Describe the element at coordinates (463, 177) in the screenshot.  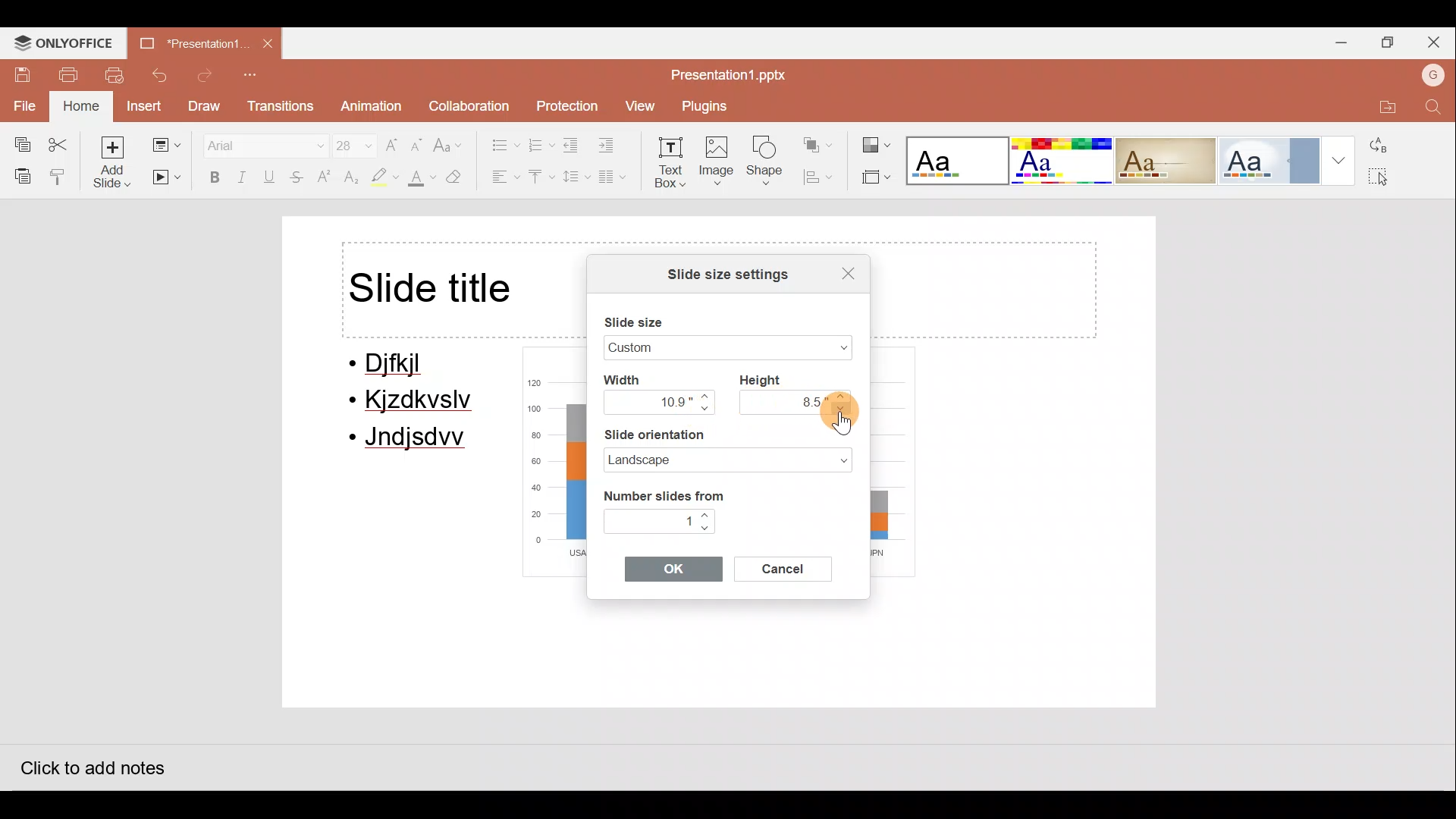
I see `Clear style` at that location.